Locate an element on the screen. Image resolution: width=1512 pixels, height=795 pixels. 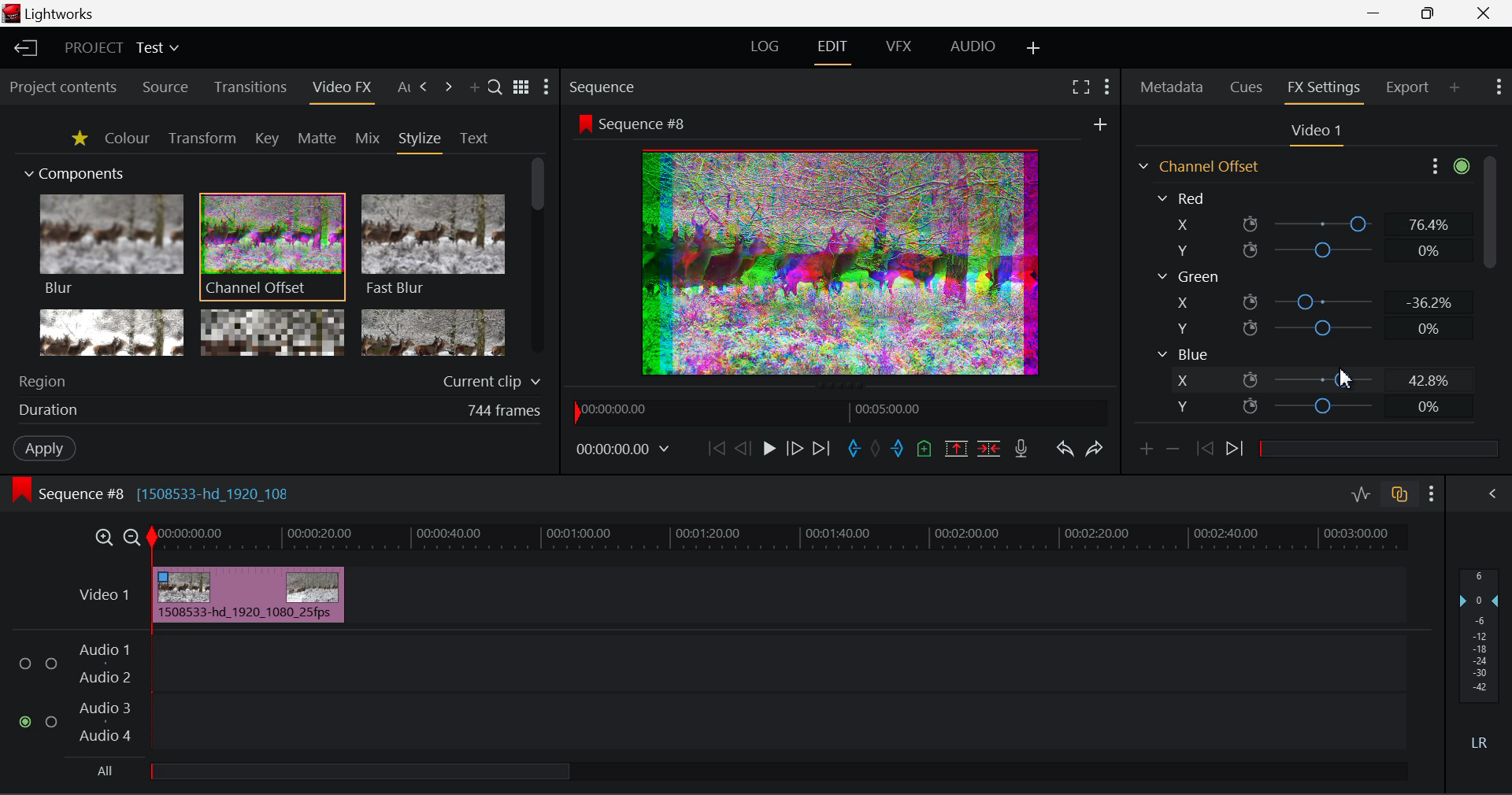
Source is located at coordinates (167, 87).